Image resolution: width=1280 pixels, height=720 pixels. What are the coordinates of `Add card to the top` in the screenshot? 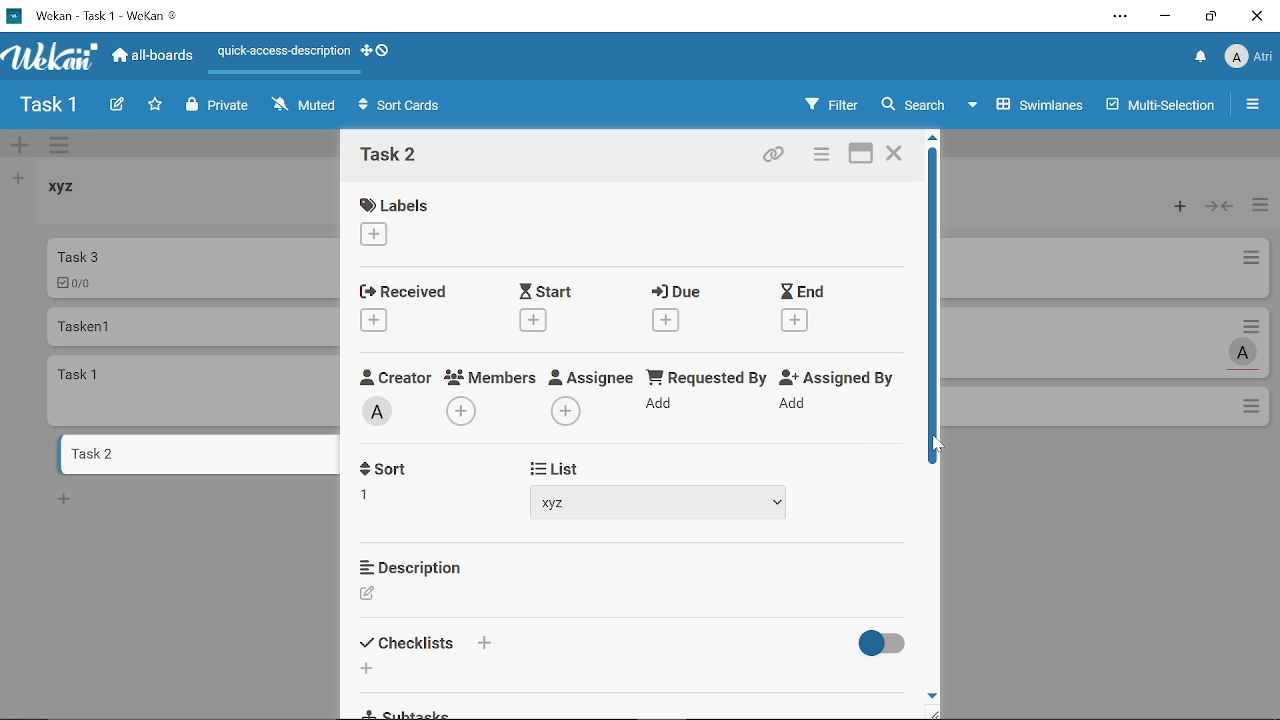 It's located at (1175, 207).